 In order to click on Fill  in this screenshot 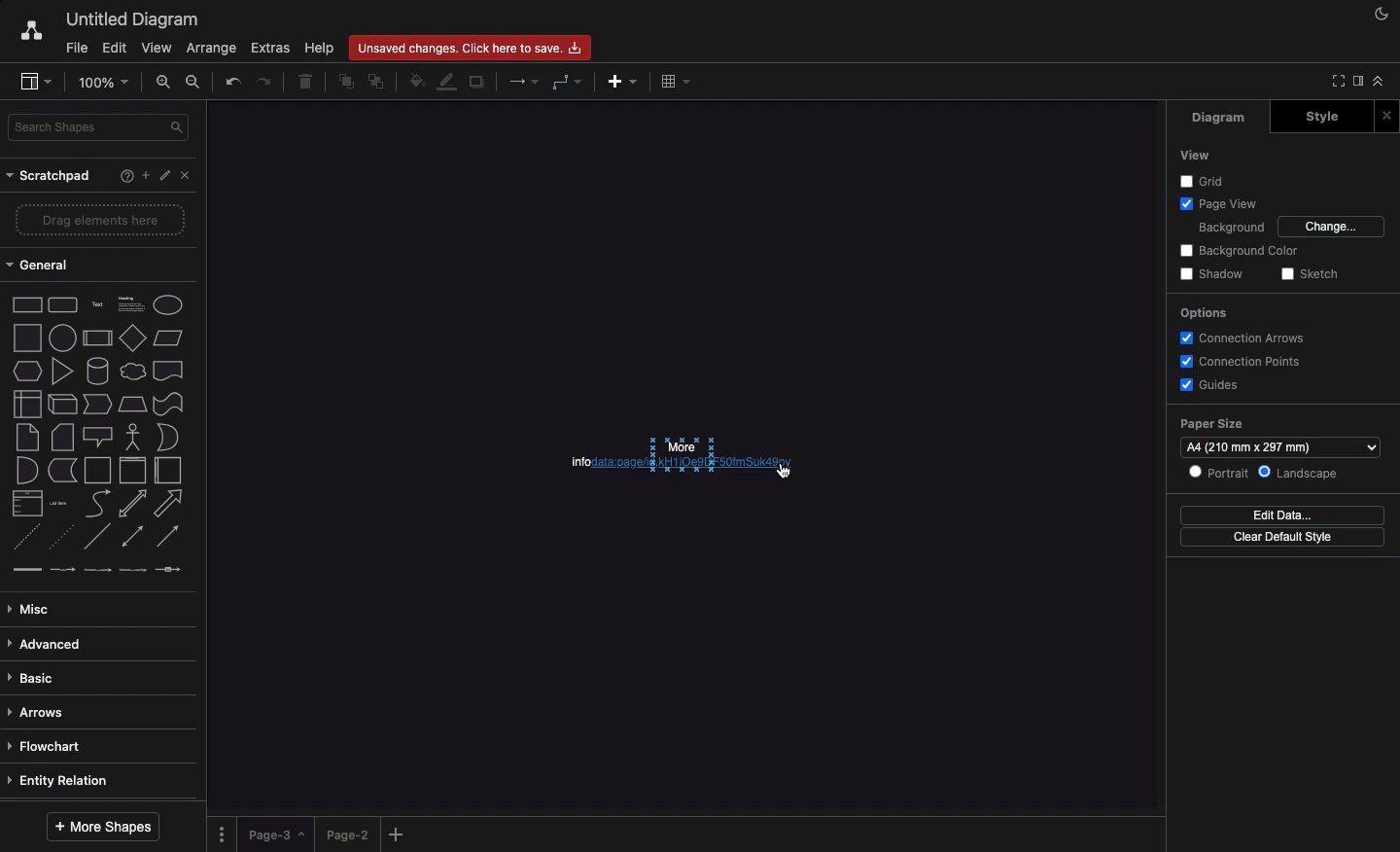, I will do `click(415, 79)`.